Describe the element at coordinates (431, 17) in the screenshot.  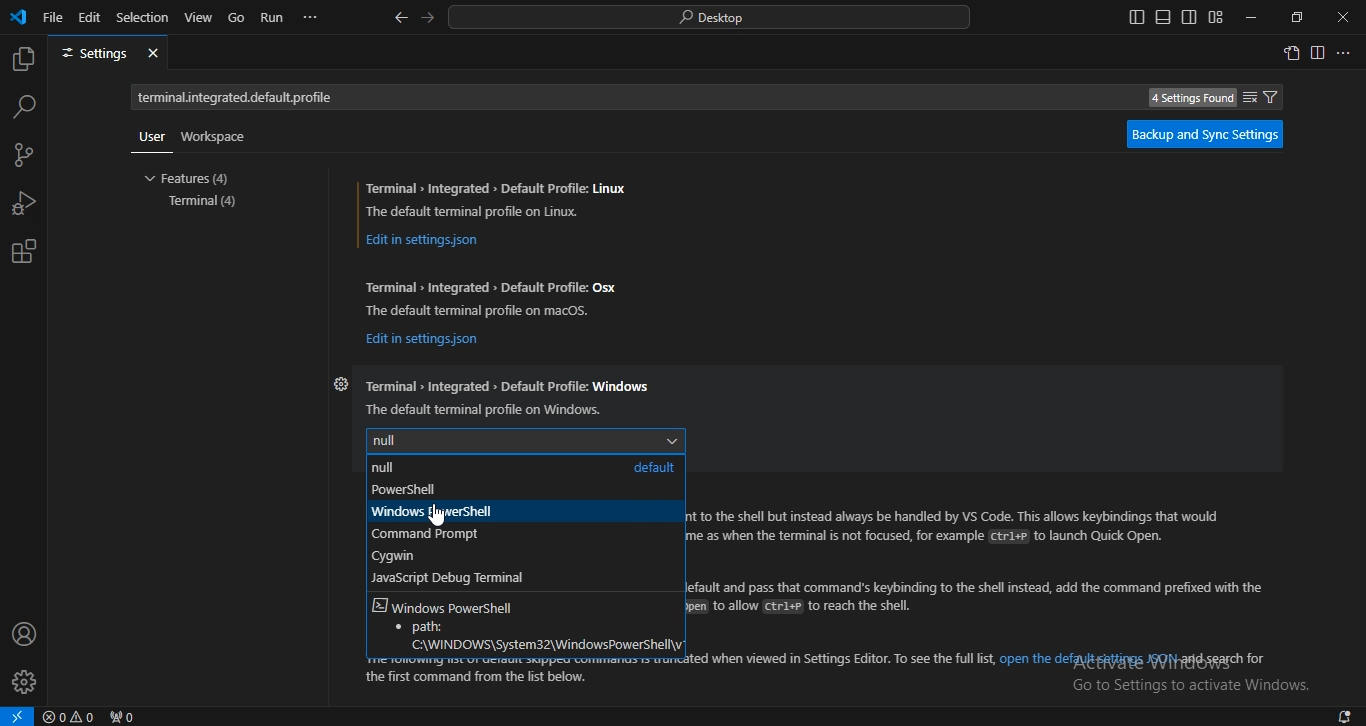
I see `go forward` at that location.